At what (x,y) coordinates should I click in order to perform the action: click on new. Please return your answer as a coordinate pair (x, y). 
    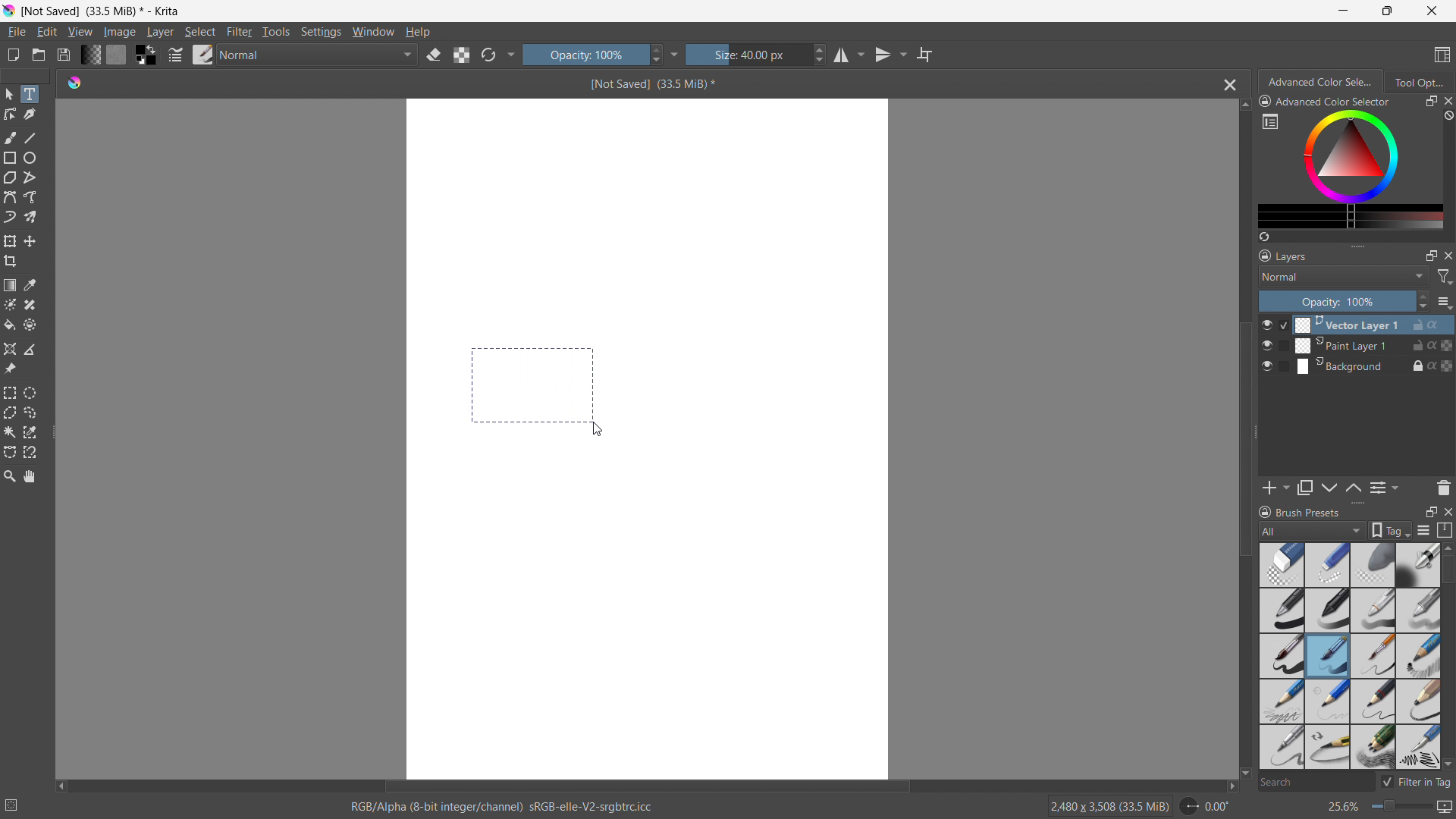
    Looking at the image, I should click on (13, 55).